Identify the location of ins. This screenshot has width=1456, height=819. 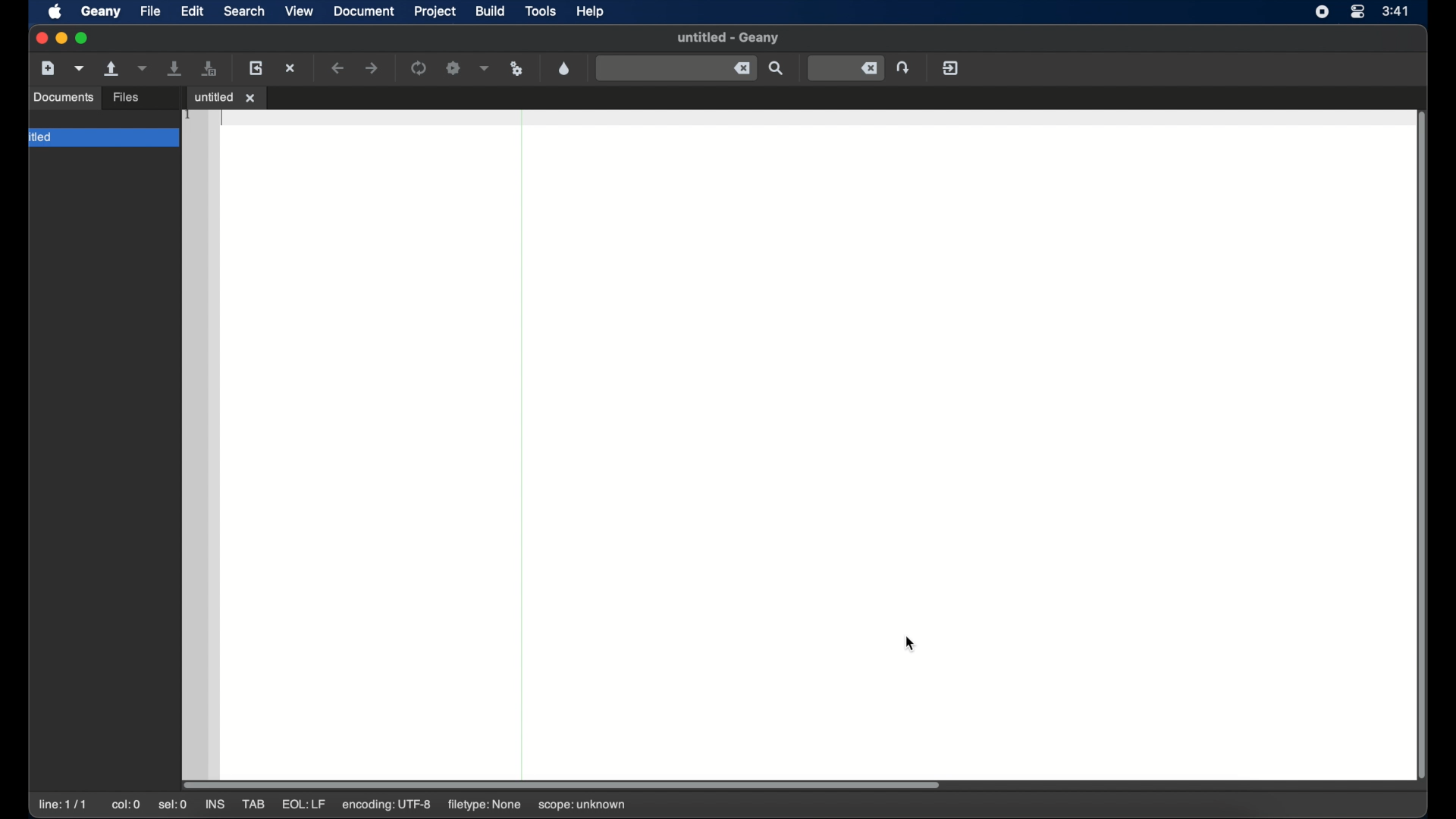
(217, 805).